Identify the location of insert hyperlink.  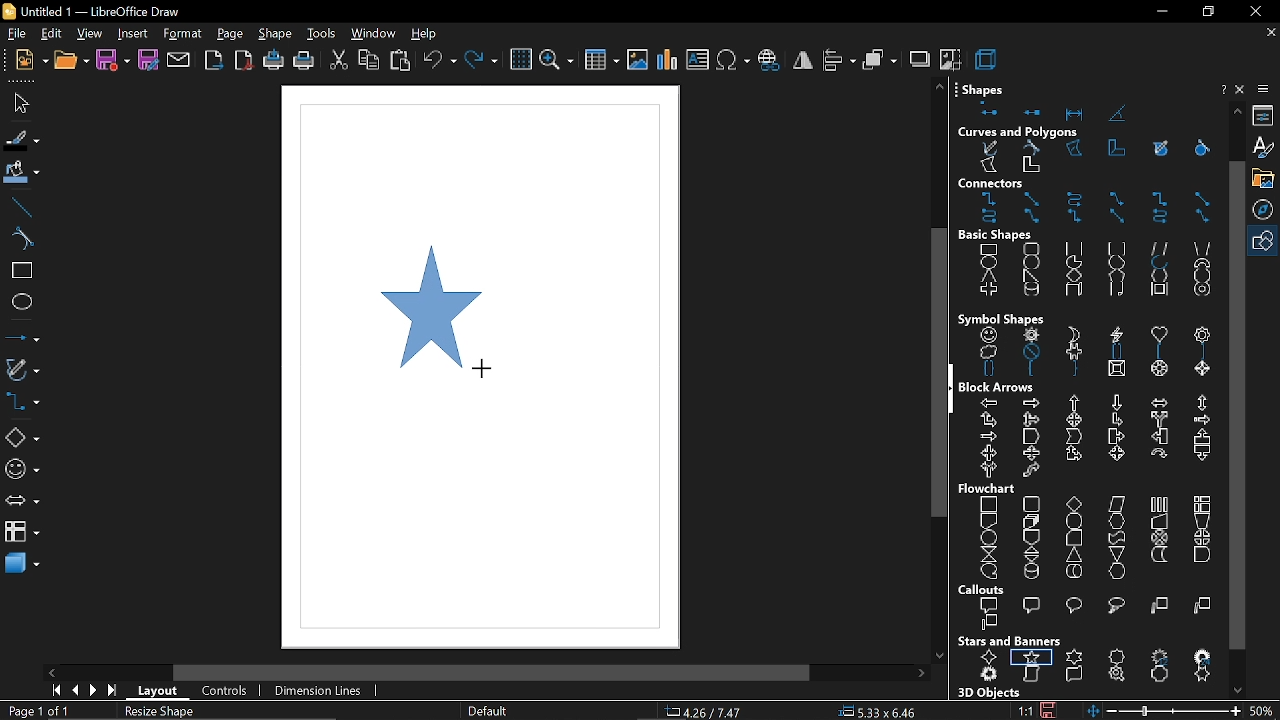
(770, 61).